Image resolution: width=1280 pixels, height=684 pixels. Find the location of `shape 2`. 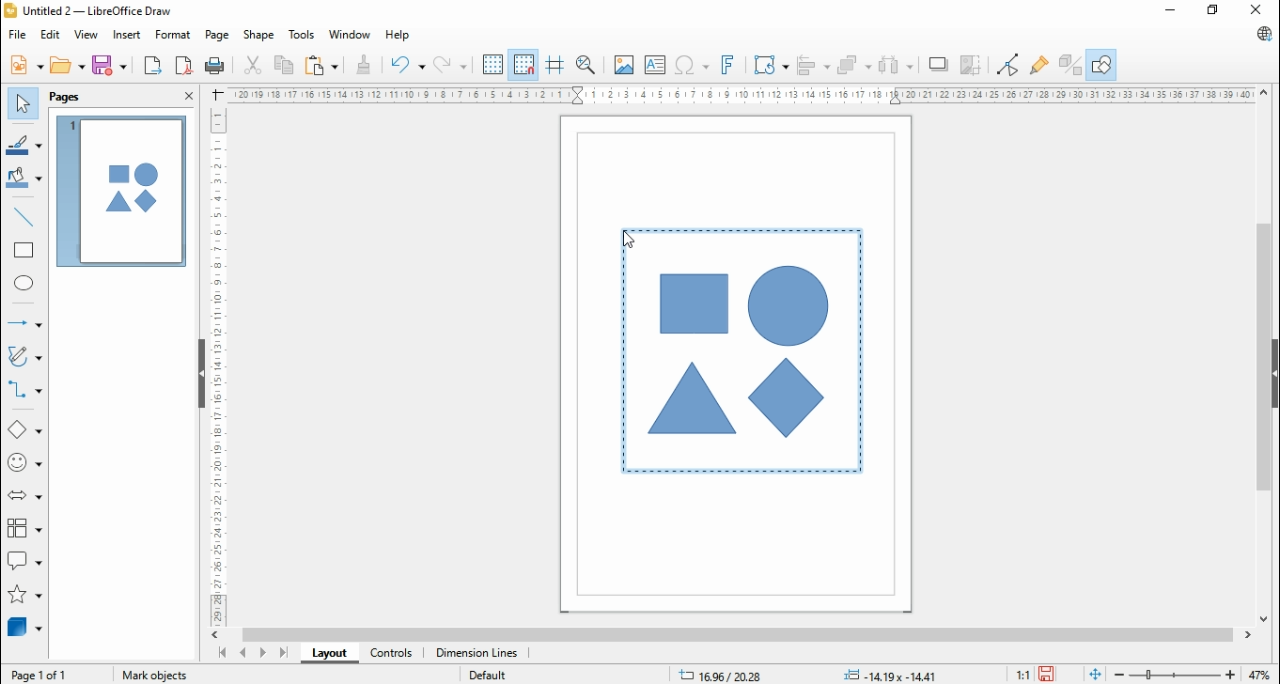

shape 2 is located at coordinates (692, 399).